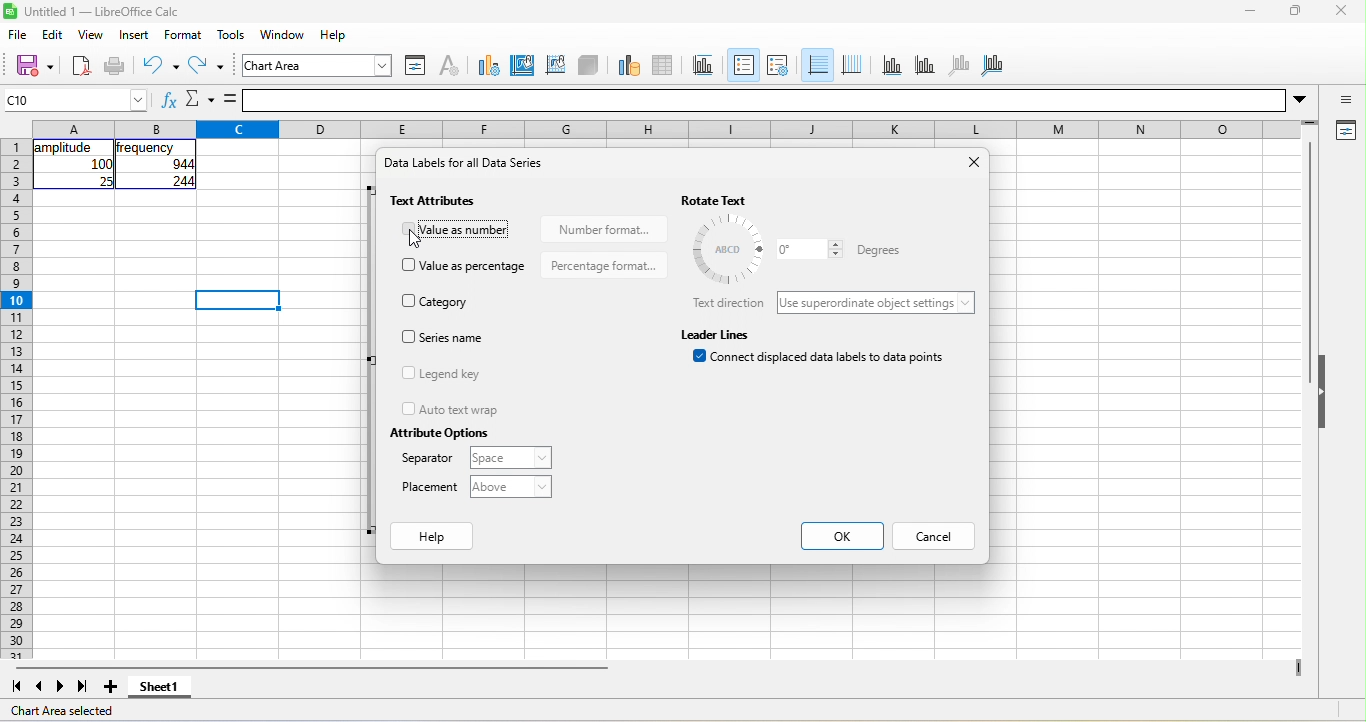 This screenshot has width=1366, height=722. Describe the element at coordinates (852, 65) in the screenshot. I see `vertical grids` at that location.